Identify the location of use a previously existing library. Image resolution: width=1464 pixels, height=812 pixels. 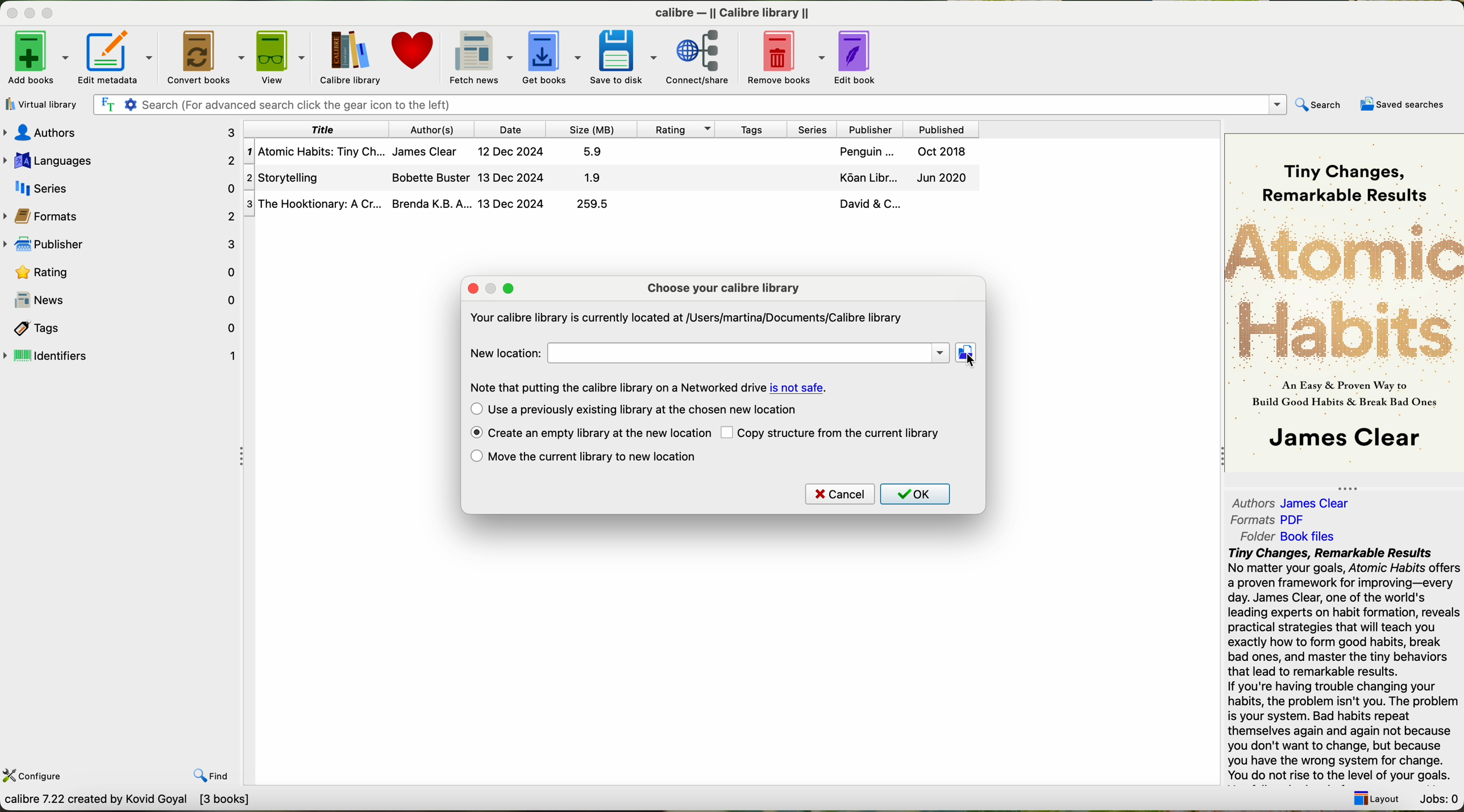
(634, 409).